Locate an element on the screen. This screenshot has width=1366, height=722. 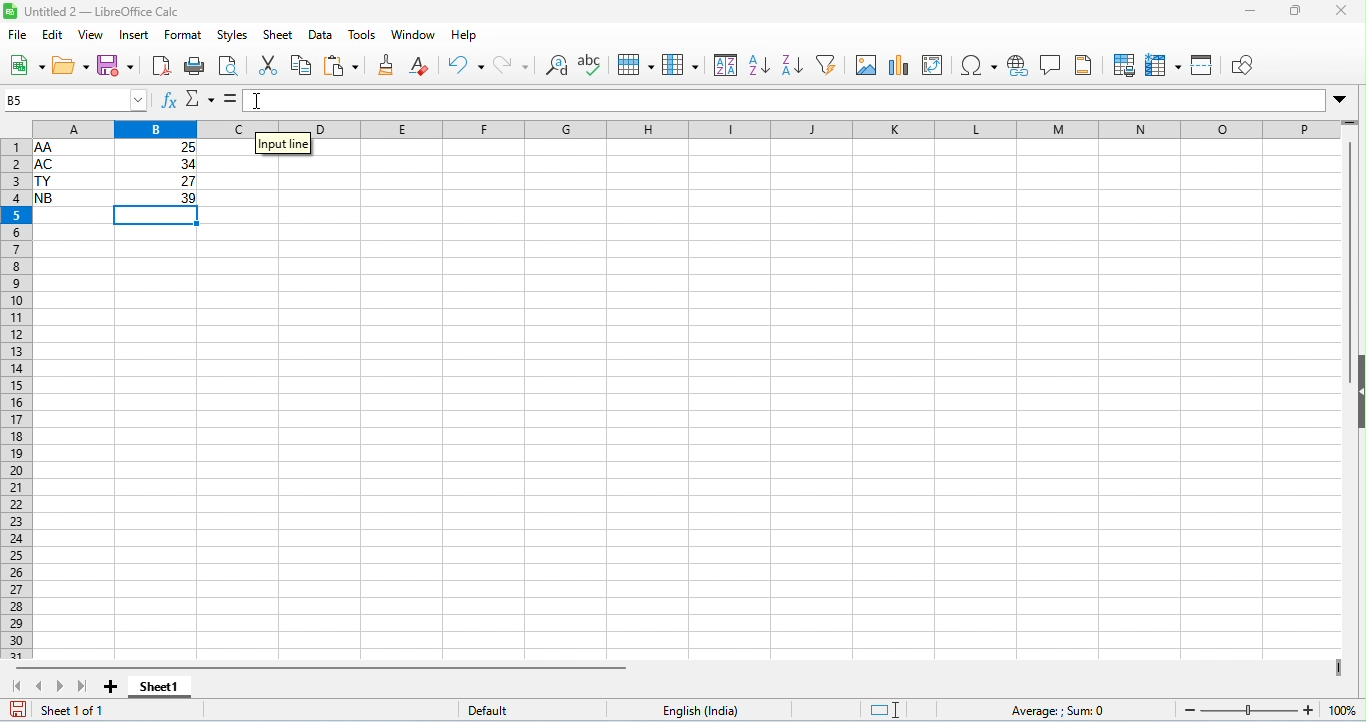
print is located at coordinates (193, 68).